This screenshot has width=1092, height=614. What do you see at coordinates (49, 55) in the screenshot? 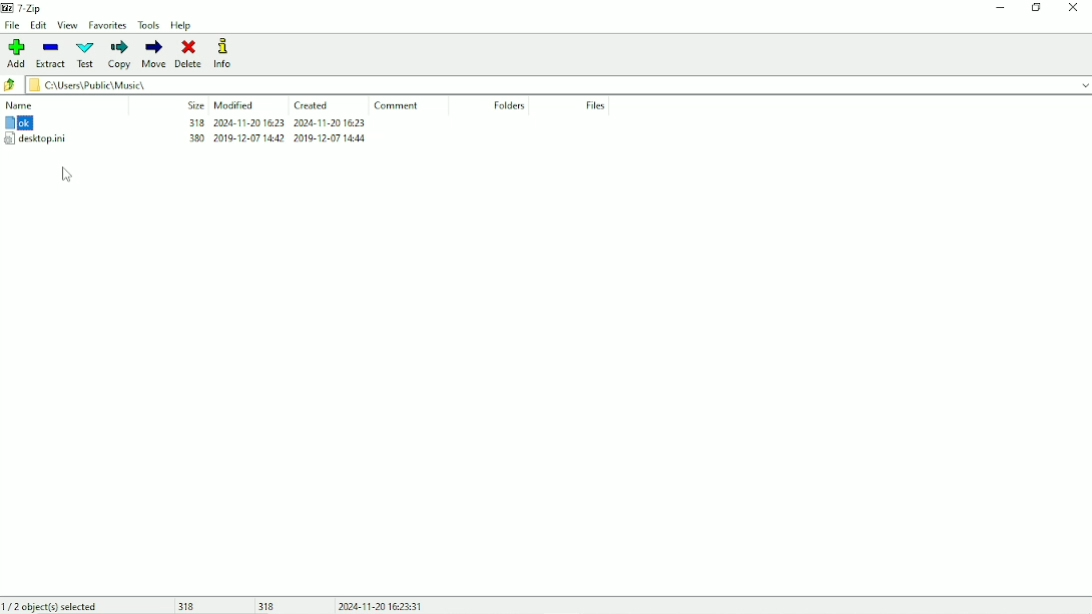
I see `Extract` at bounding box center [49, 55].